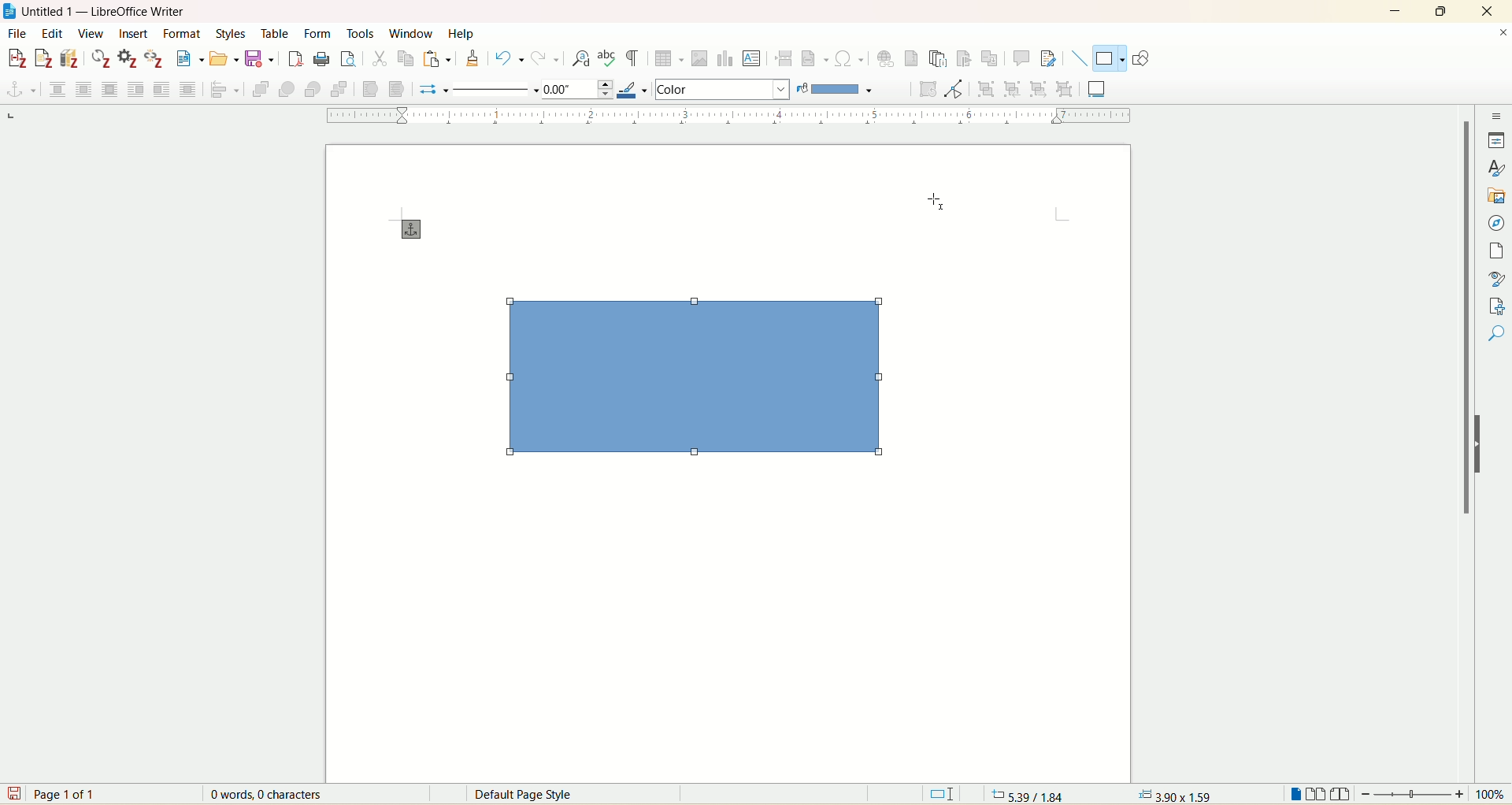 Image resolution: width=1512 pixels, height=805 pixels. Describe the element at coordinates (721, 116) in the screenshot. I see `ruler` at that location.